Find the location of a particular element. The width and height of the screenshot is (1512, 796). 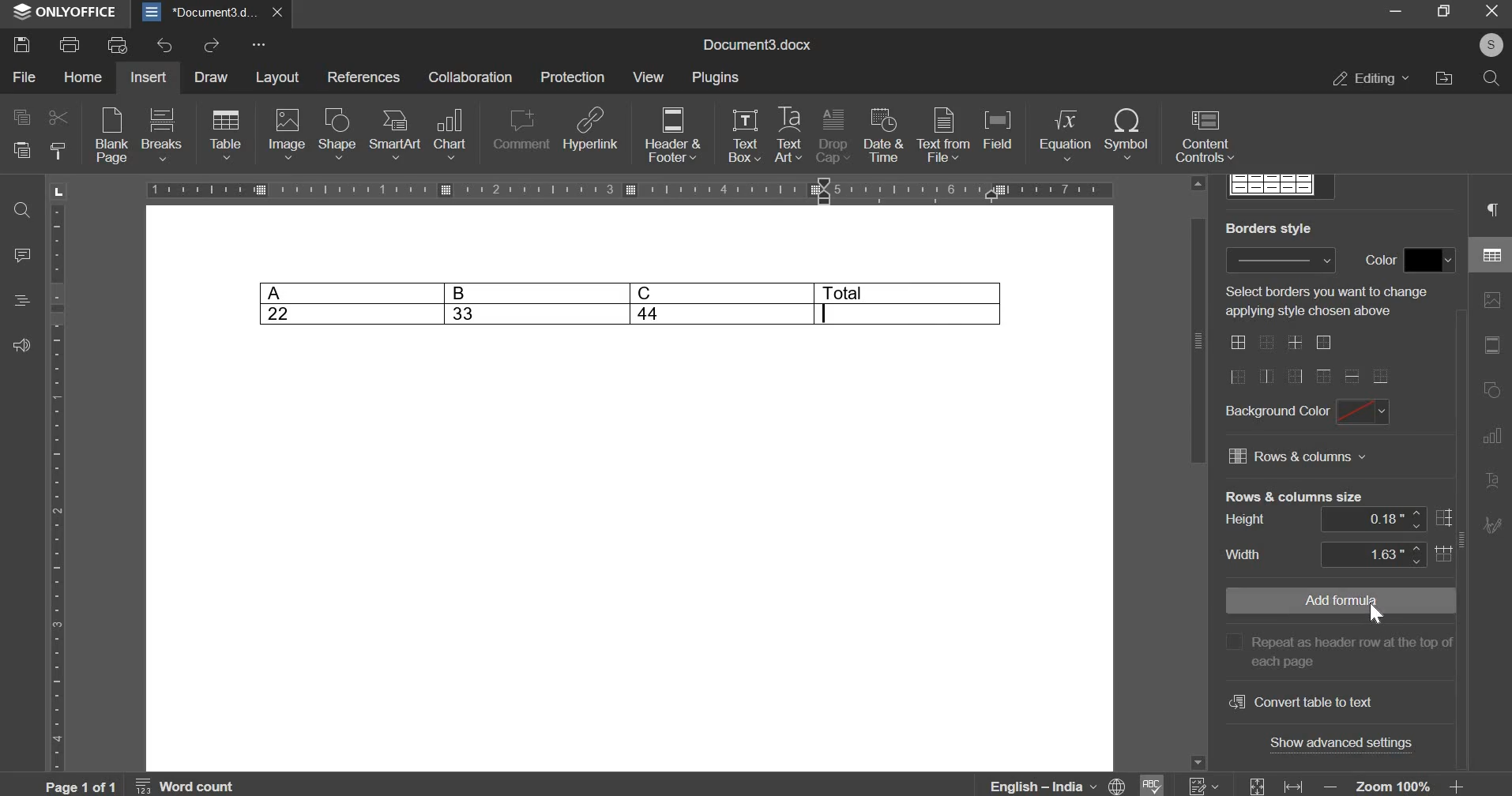

border color is located at coordinates (1429, 261).